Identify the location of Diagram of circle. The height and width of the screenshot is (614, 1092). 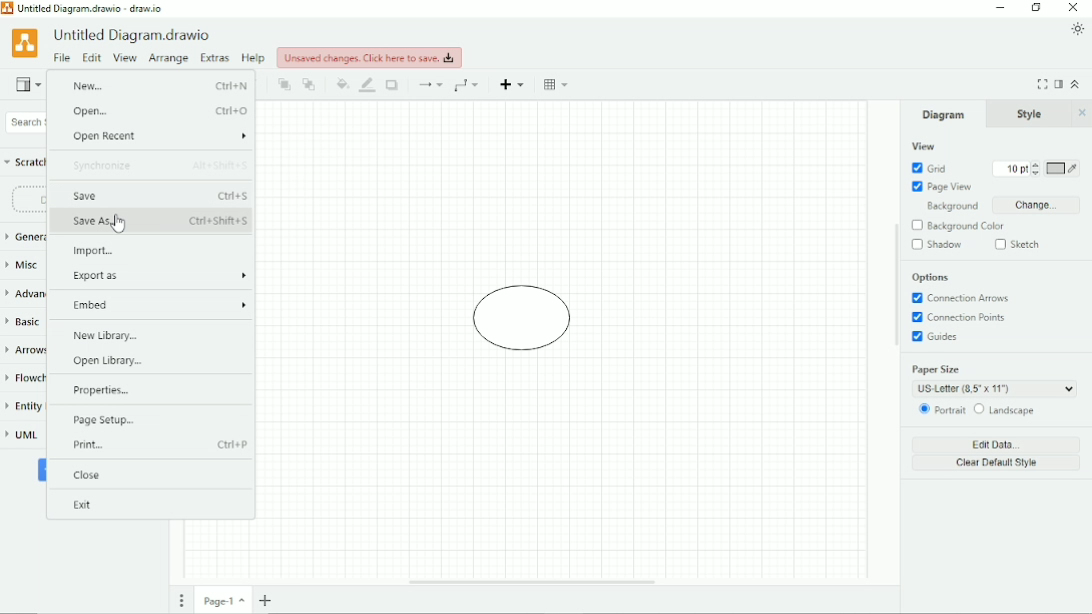
(523, 320).